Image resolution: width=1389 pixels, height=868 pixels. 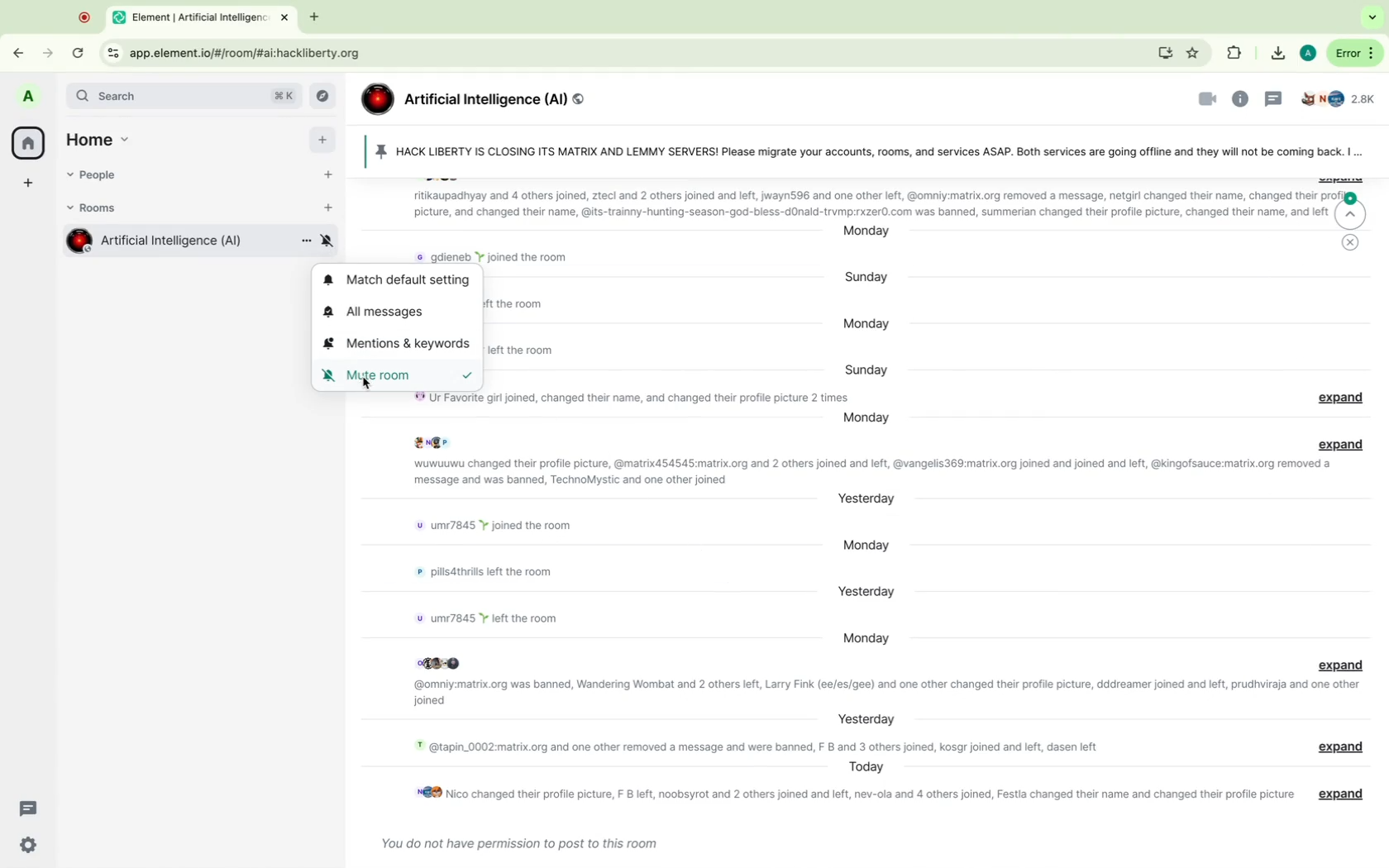 What do you see at coordinates (1338, 748) in the screenshot?
I see `message` at bounding box center [1338, 748].